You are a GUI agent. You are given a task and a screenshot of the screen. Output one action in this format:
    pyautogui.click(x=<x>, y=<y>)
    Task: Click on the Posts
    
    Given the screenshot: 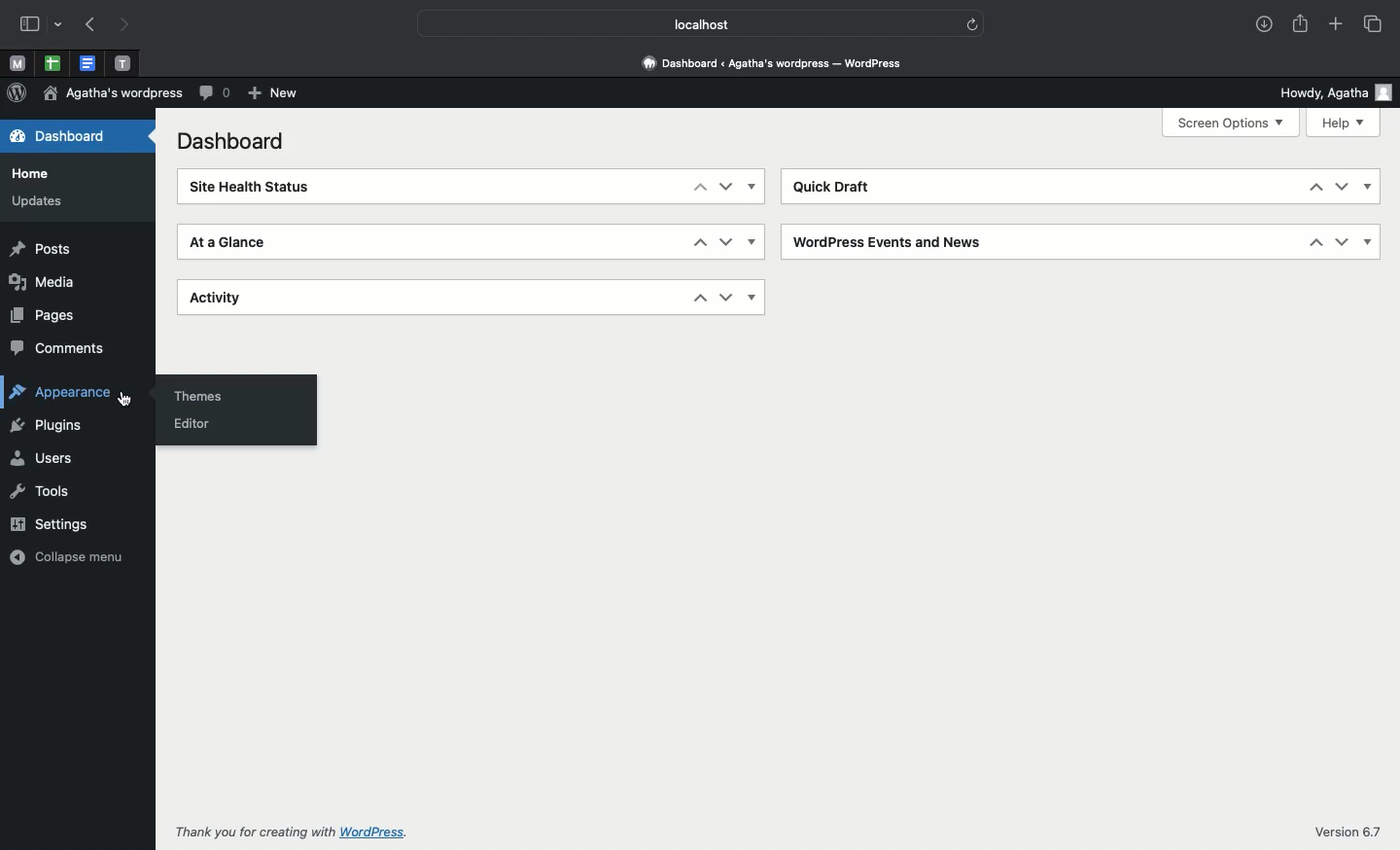 What is the action you would take?
    pyautogui.click(x=48, y=251)
    